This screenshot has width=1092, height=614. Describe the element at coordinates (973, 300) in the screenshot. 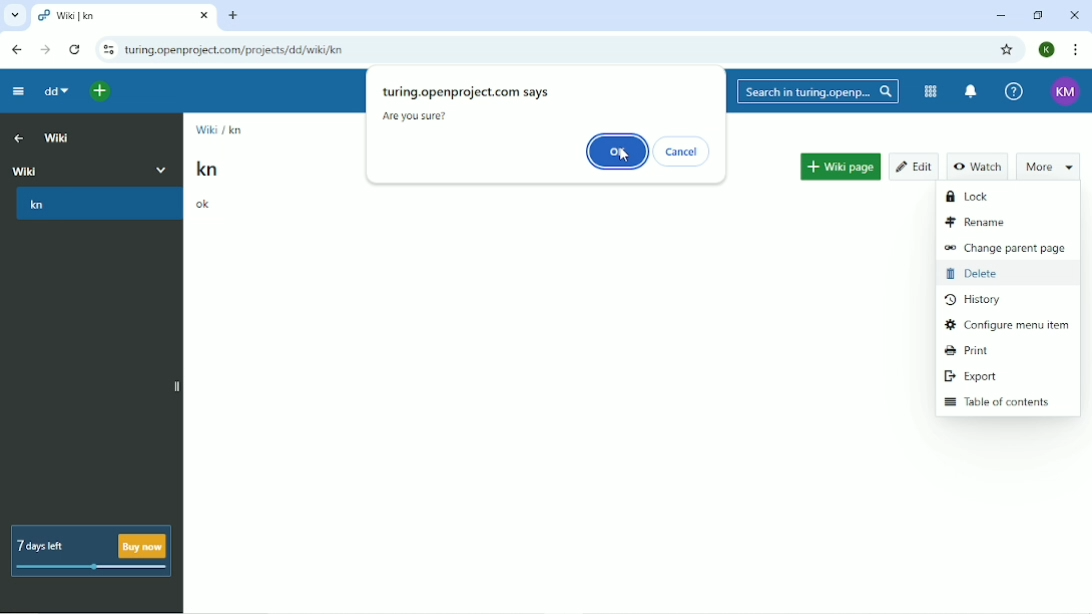

I see `History` at that location.